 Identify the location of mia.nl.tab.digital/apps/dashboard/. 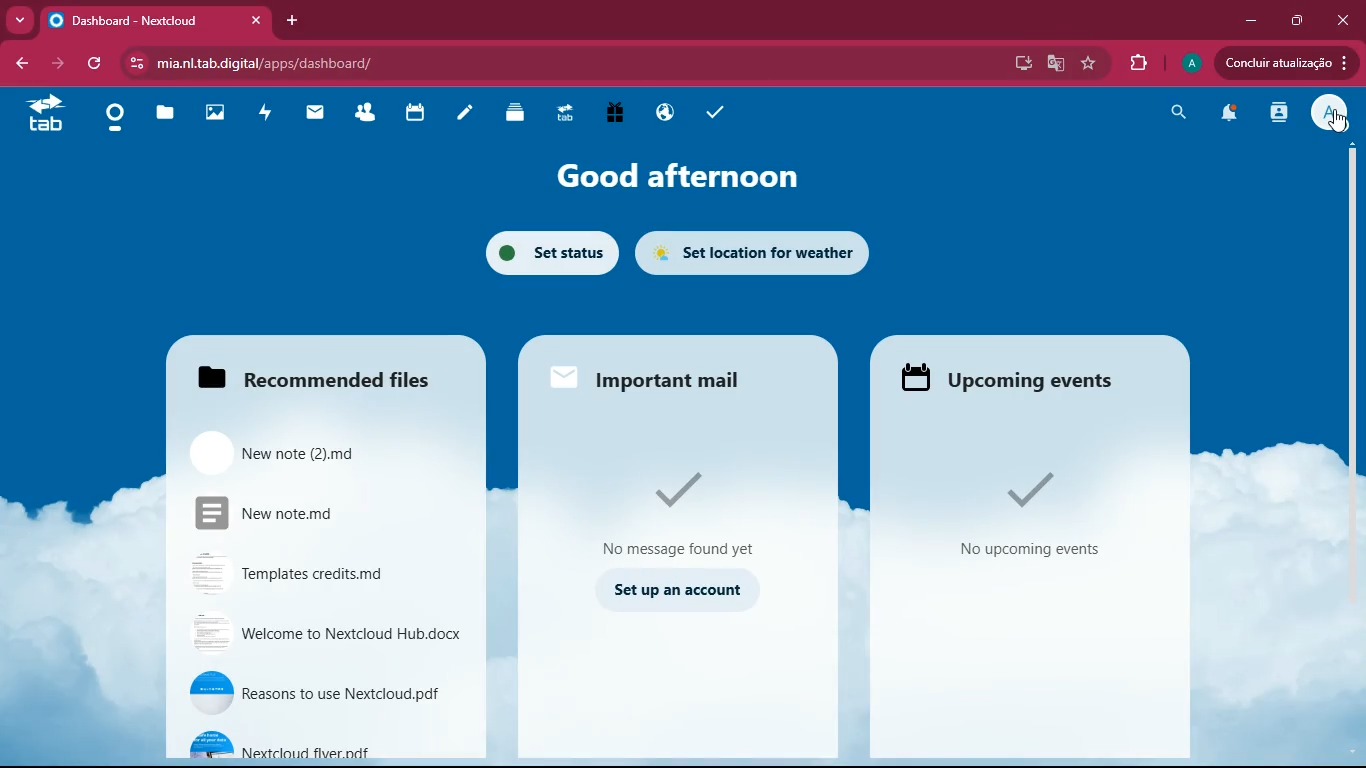
(265, 65).